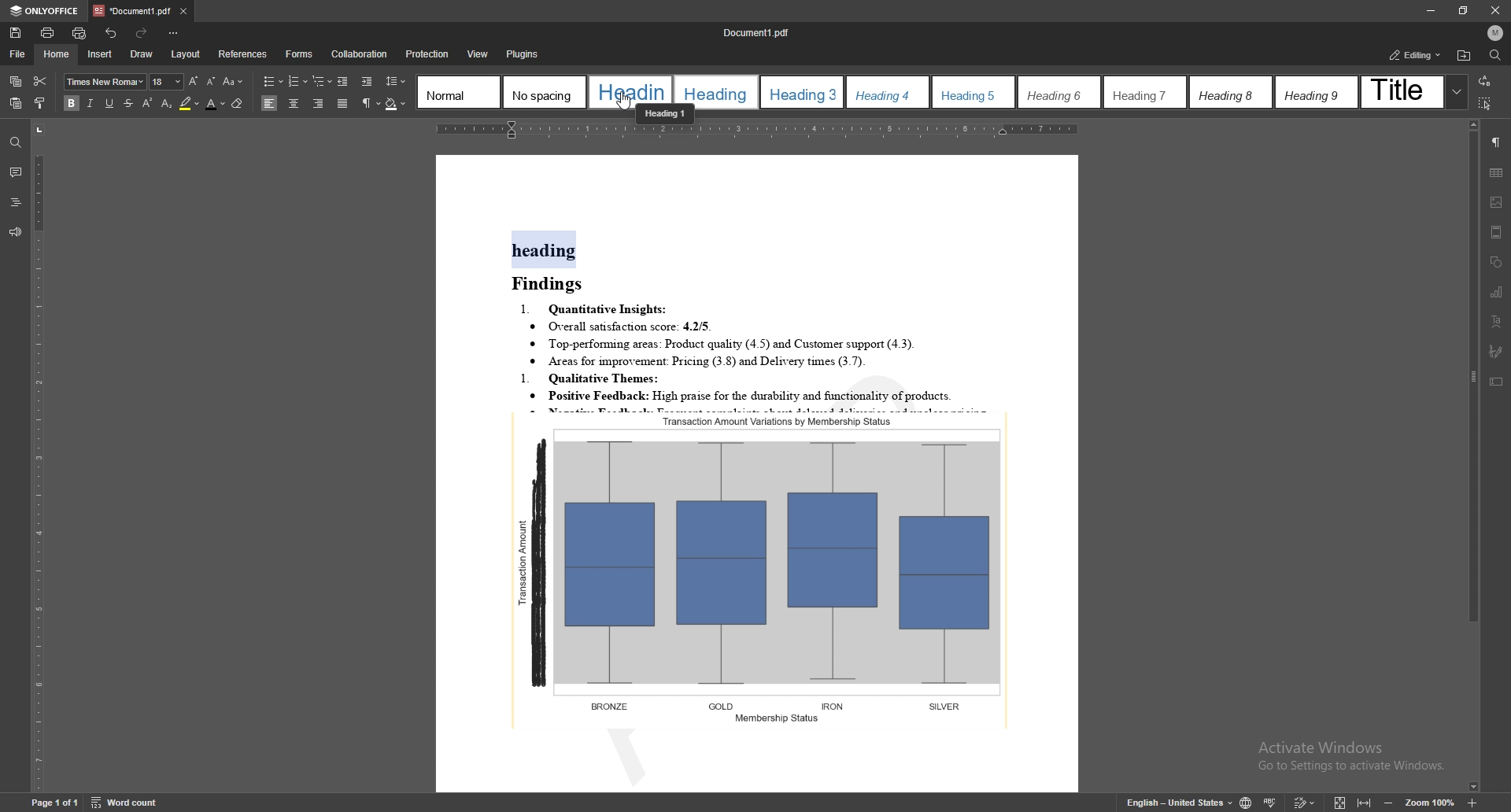  Describe the element at coordinates (1339, 804) in the screenshot. I see `fit to screen` at that location.